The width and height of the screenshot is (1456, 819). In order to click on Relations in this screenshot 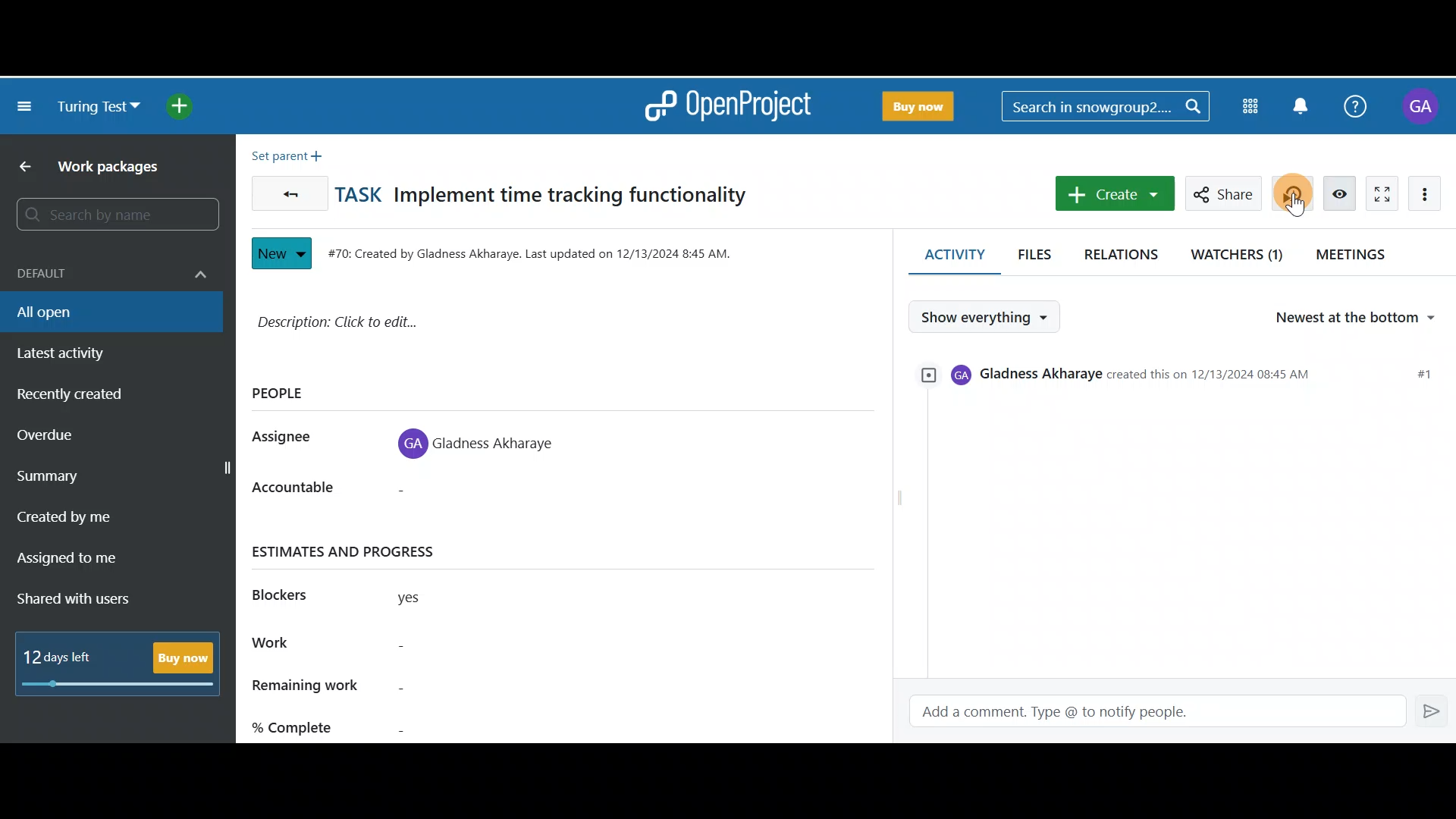, I will do `click(1125, 252)`.